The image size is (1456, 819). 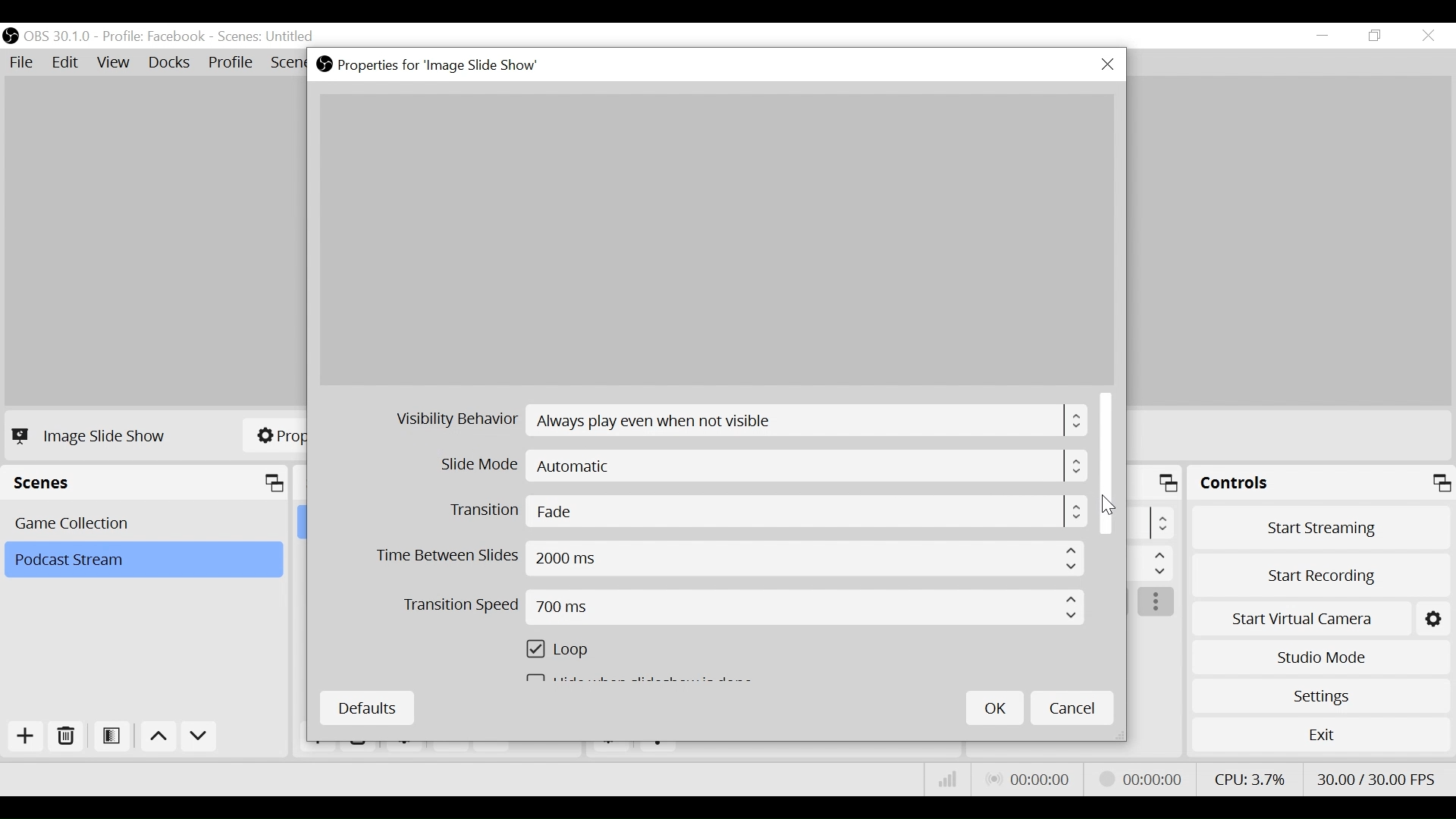 What do you see at coordinates (161, 739) in the screenshot?
I see `Move up` at bounding box center [161, 739].